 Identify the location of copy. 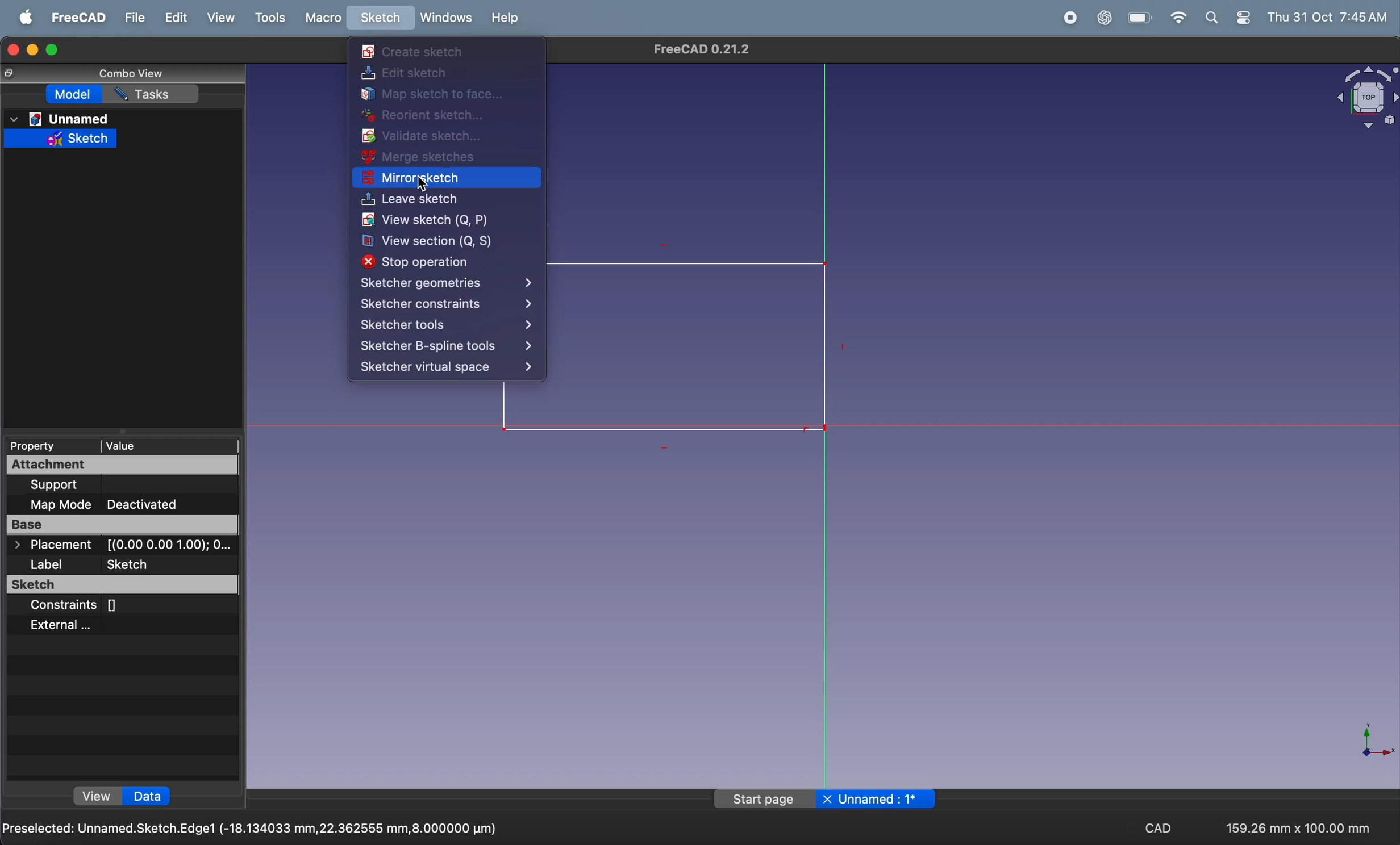
(10, 73).